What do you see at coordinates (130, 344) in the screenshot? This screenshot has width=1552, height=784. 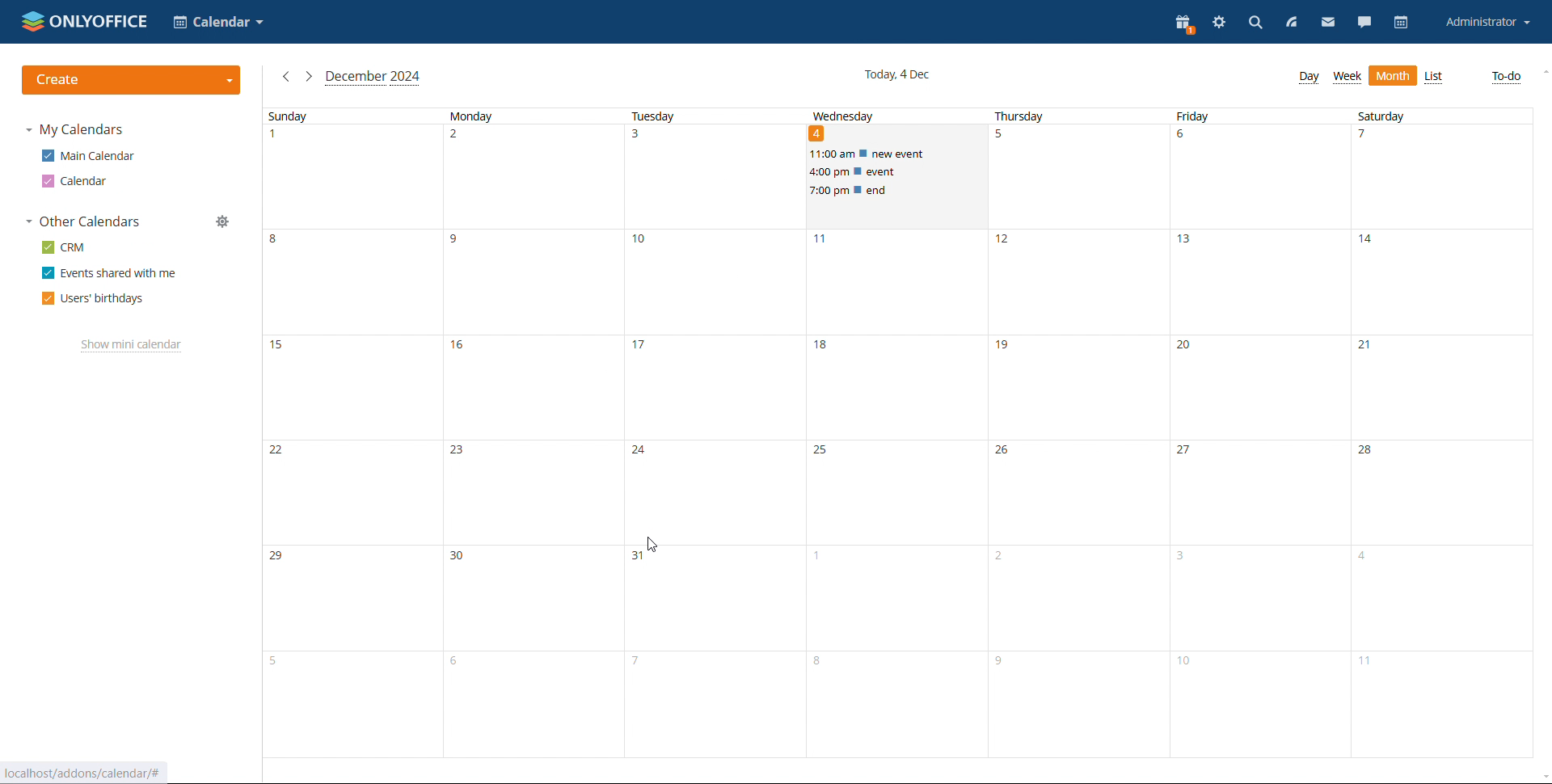 I see `show mini calendar` at bounding box center [130, 344].